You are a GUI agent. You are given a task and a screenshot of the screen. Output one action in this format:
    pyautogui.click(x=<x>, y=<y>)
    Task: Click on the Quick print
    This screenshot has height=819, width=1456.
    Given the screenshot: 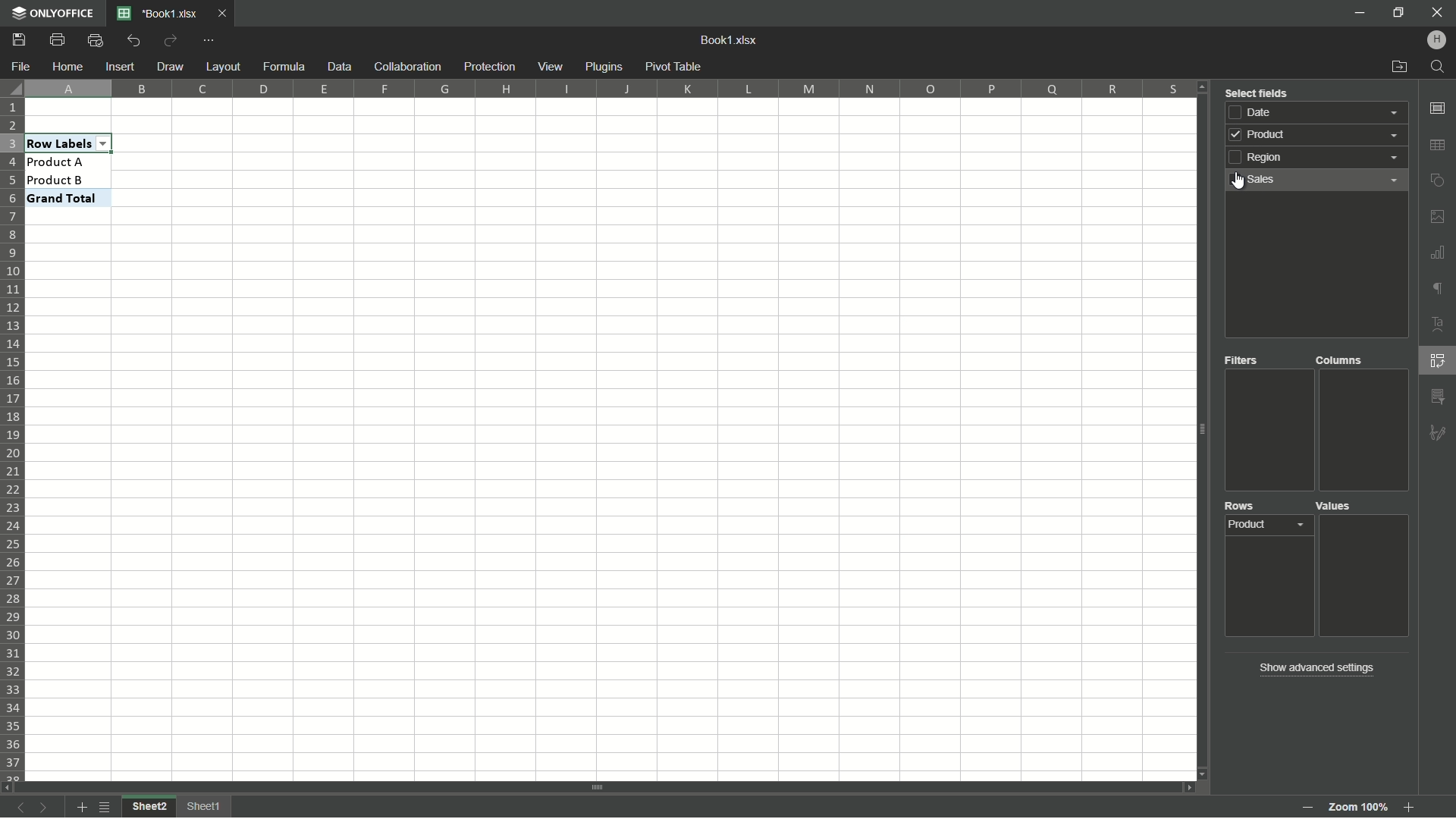 What is the action you would take?
    pyautogui.click(x=94, y=42)
    